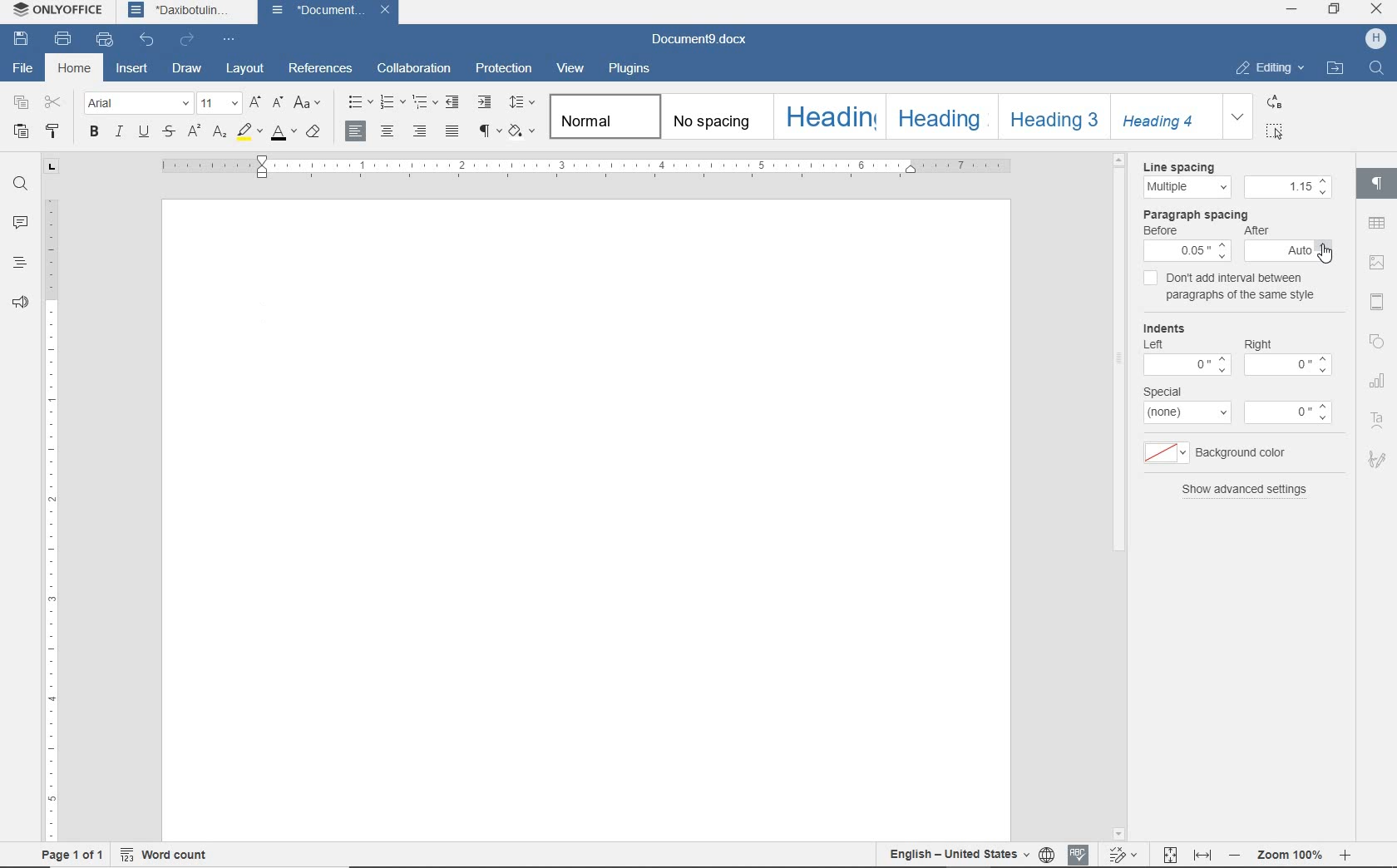 The image size is (1397, 868). Describe the element at coordinates (1241, 454) in the screenshot. I see `background color` at that location.